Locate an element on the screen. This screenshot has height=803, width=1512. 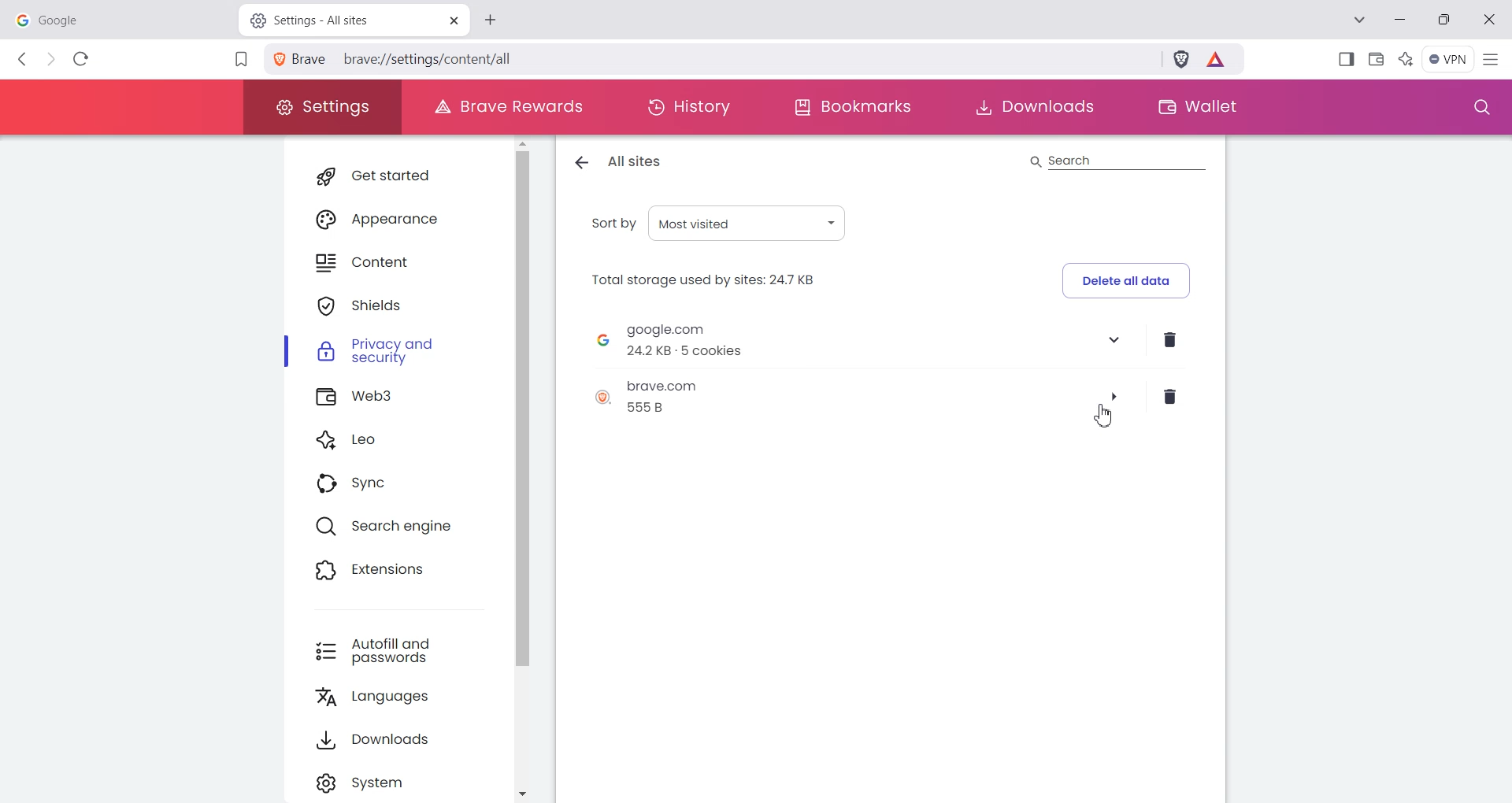
Leo is located at coordinates (389, 442).